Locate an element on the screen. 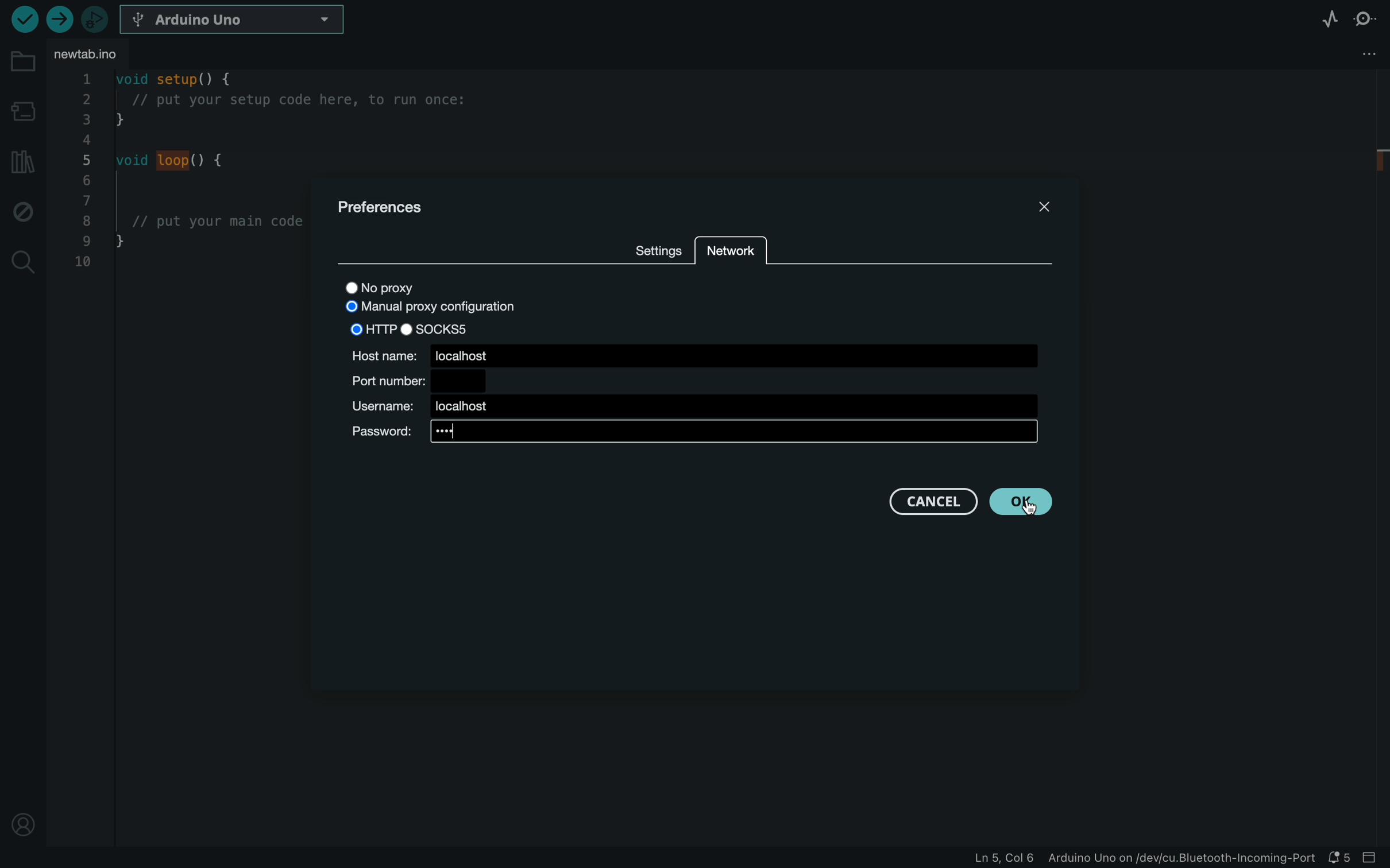  clicked is located at coordinates (1016, 503).